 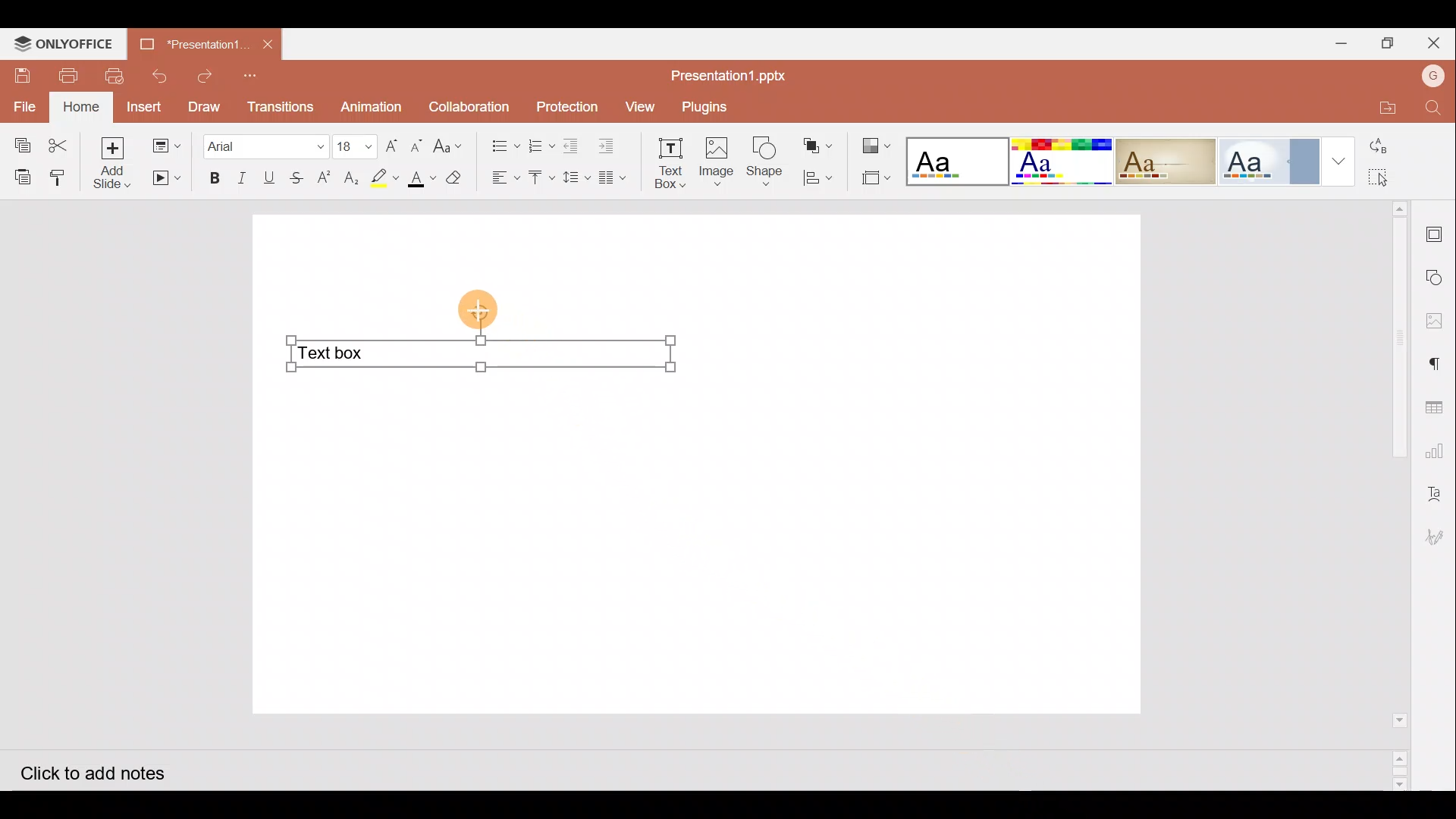 What do you see at coordinates (394, 144) in the screenshot?
I see `Increase font size` at bounding box center [394, 144].